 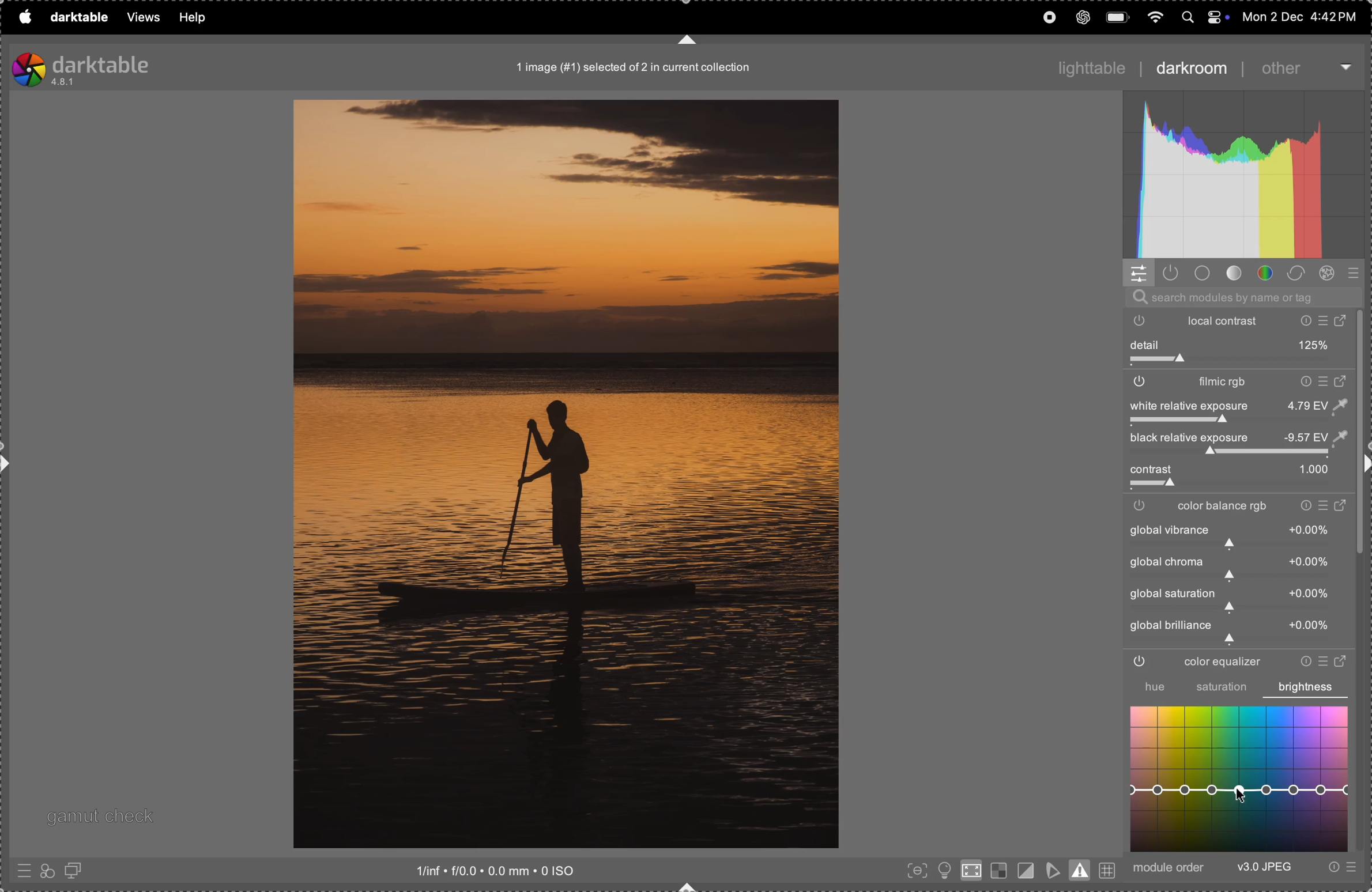 What do you see at coordinates (1232, 453) in the screenshot?
I see `togglebar` at bounding box center [1232, 453].